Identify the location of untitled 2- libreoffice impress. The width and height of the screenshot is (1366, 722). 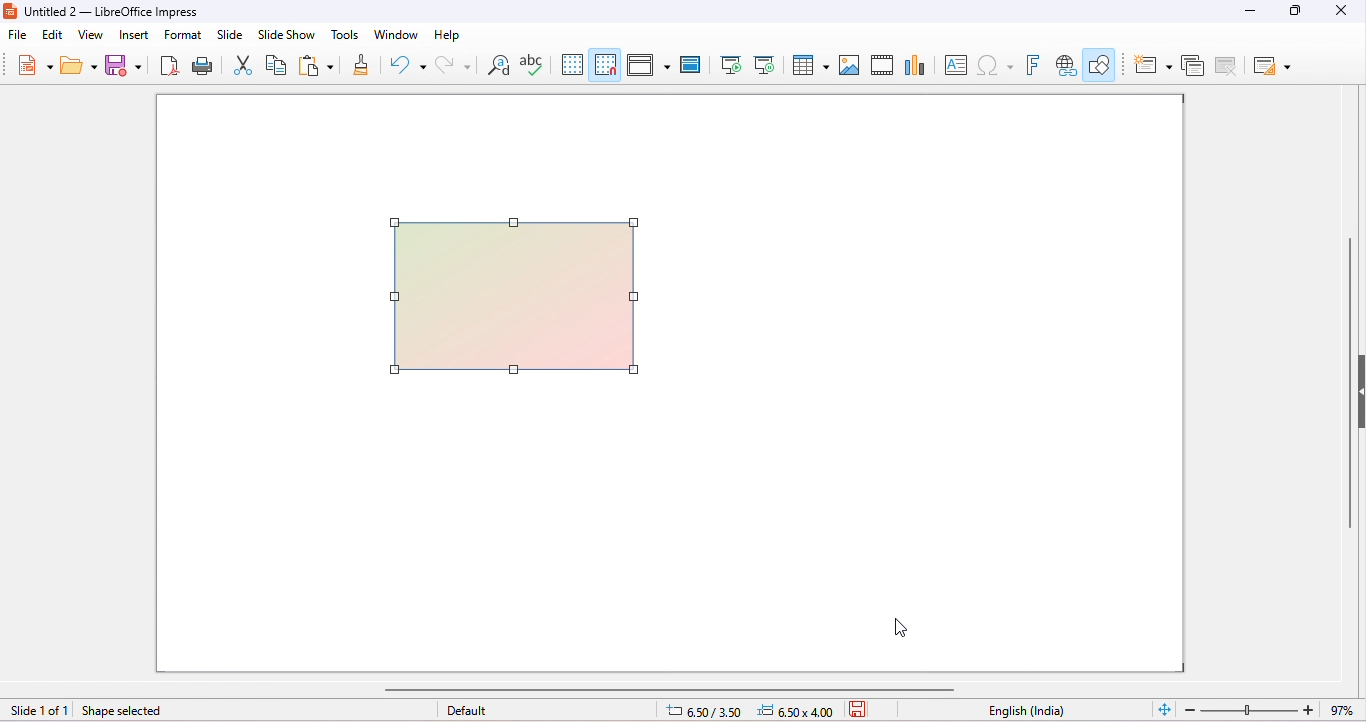
(124, 10).